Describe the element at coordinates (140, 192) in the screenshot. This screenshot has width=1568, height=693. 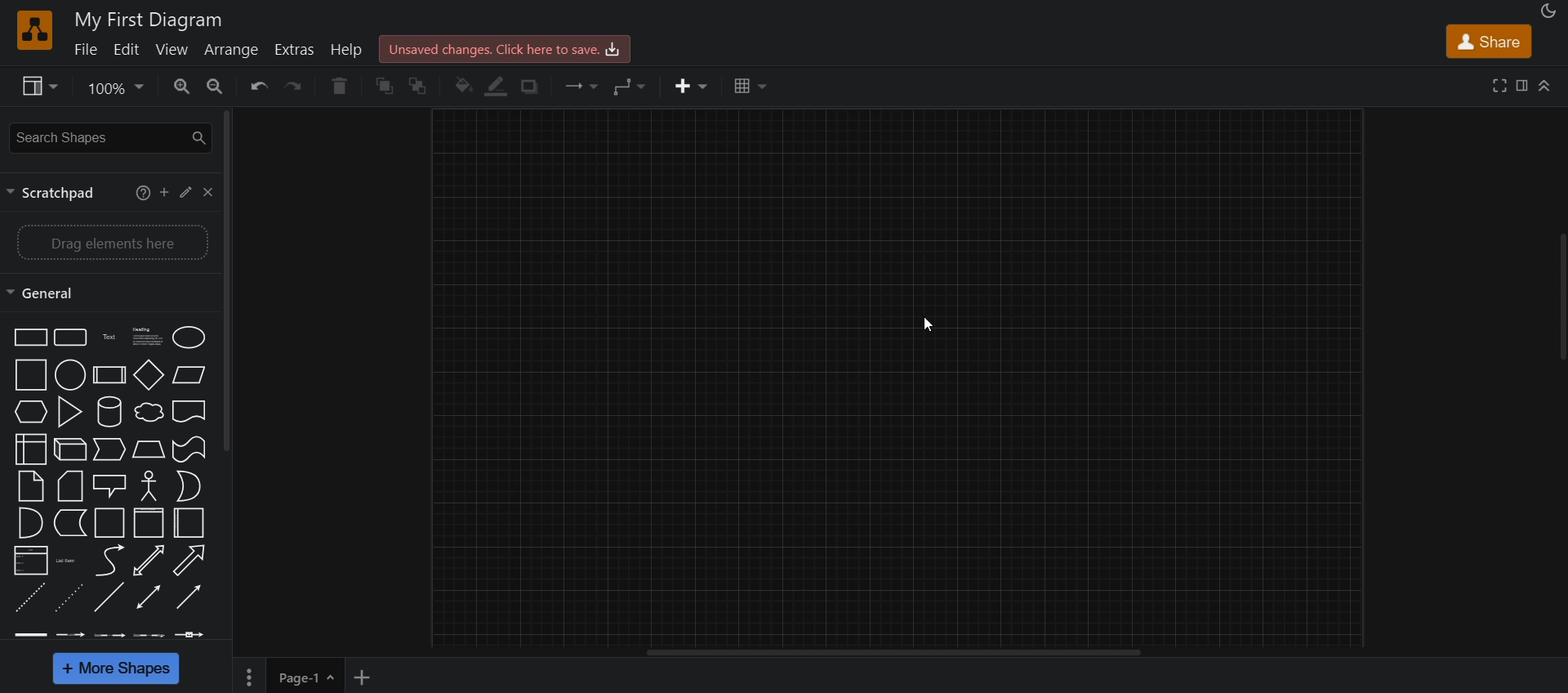
I see `help` at that location.